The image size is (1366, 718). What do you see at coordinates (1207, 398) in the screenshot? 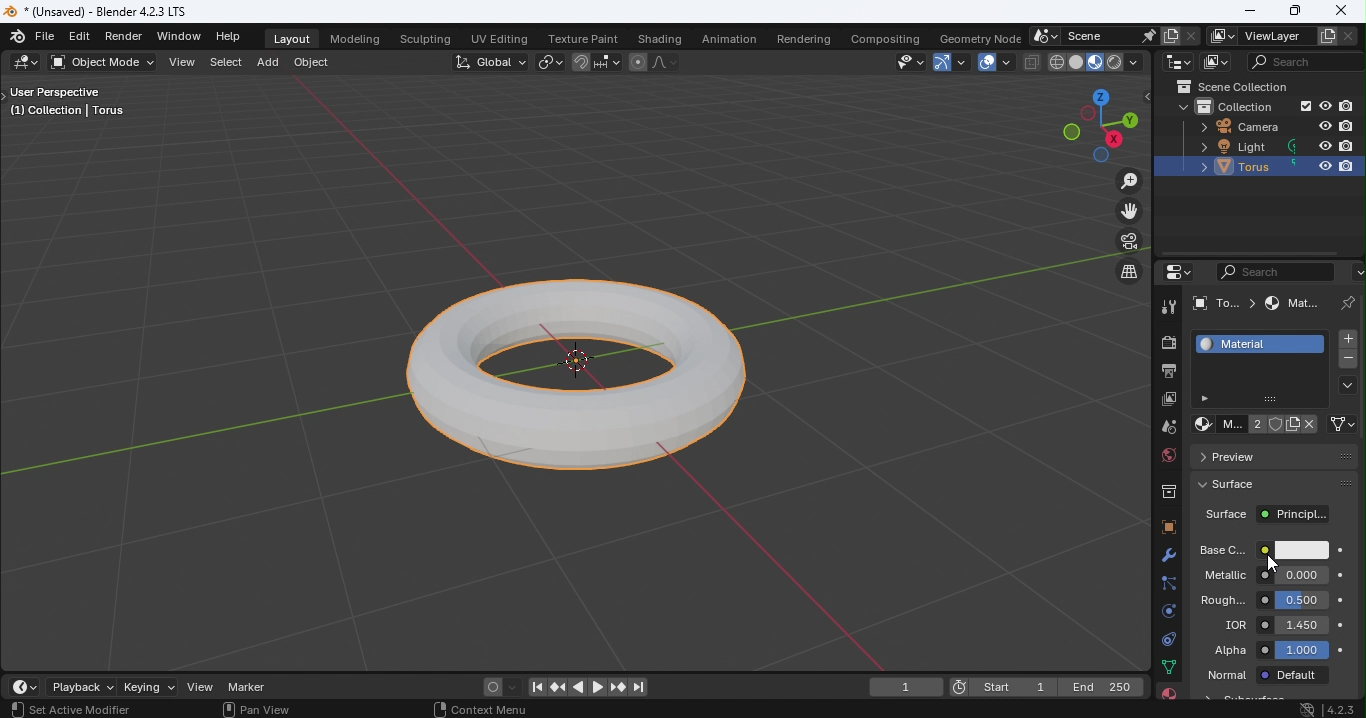
I see `Button` at bounding box center [1207, 398].